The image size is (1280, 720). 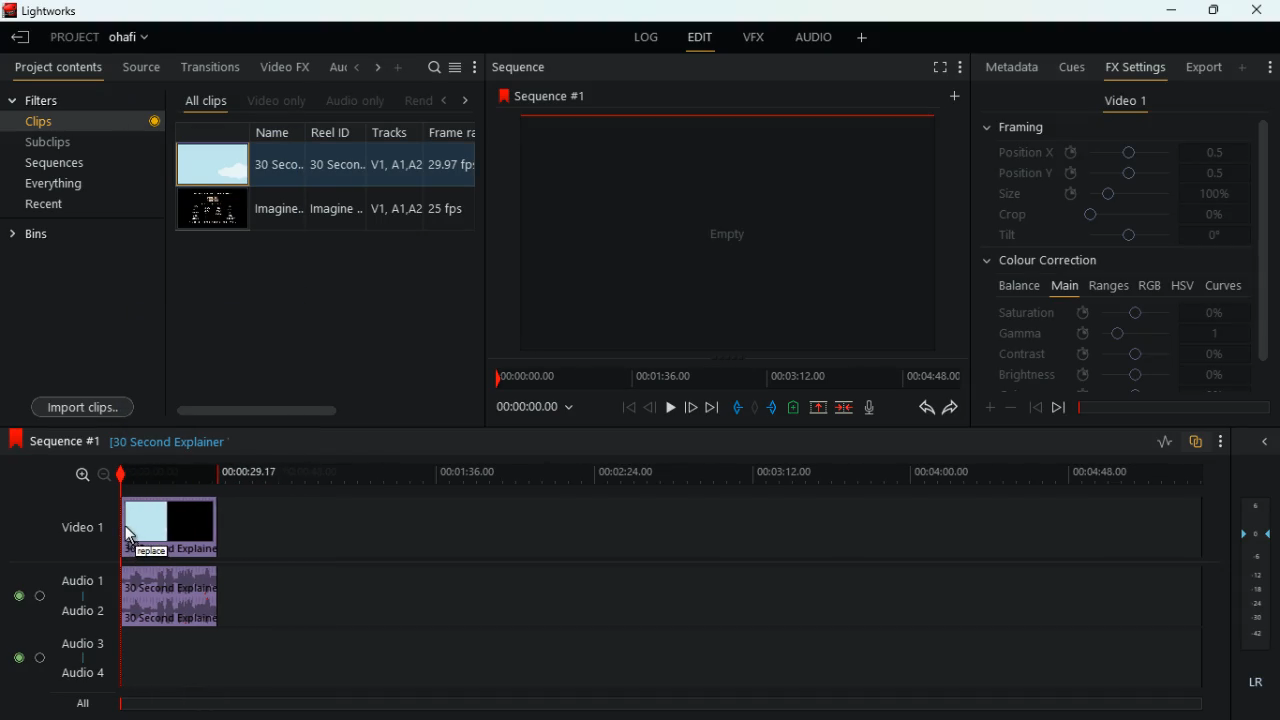 I want to click on rate, so click(x=1161, y=442).